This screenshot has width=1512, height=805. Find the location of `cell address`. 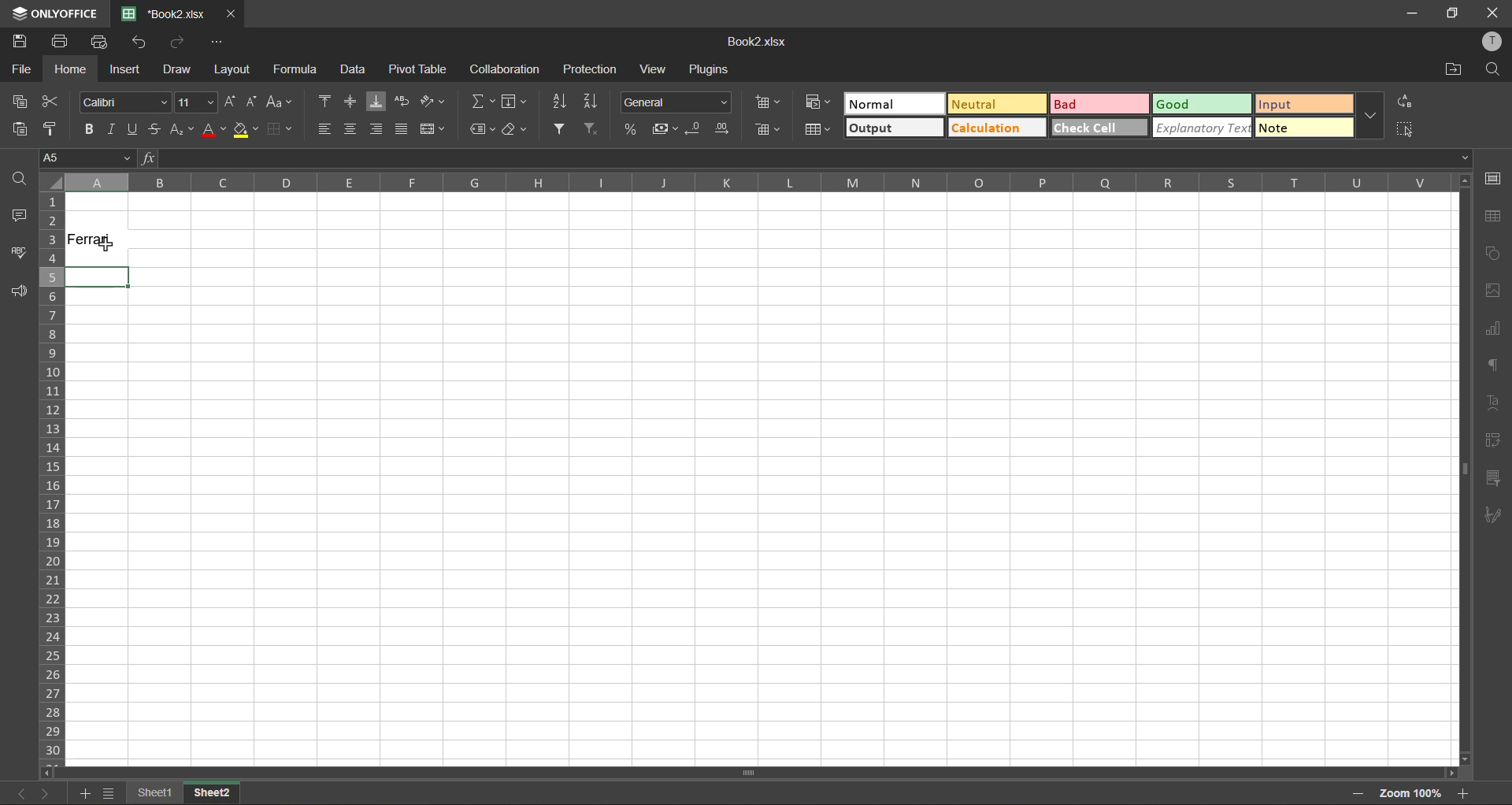

cell address is located at coordinates (83, 157).